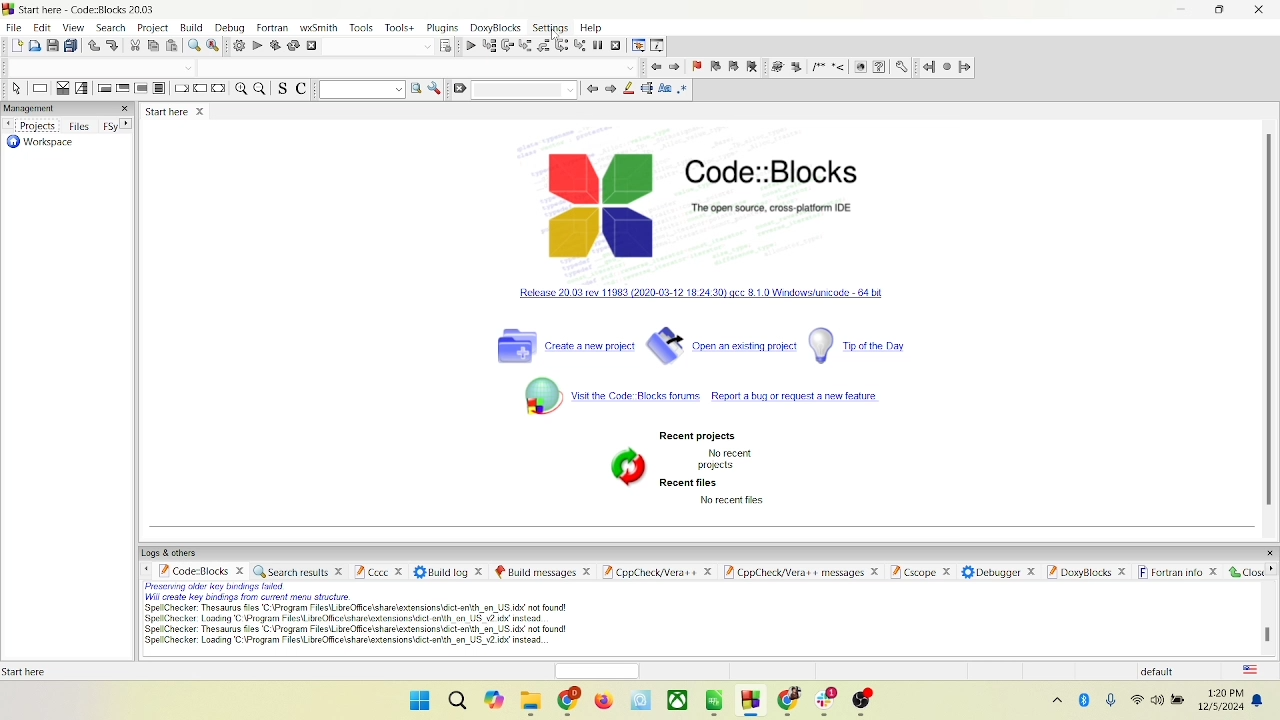 The image size is (1280, 720). What do you see at coordinates (967, 67) in the screenshot?
I see `jump forward` at bounding box center [967, 67].